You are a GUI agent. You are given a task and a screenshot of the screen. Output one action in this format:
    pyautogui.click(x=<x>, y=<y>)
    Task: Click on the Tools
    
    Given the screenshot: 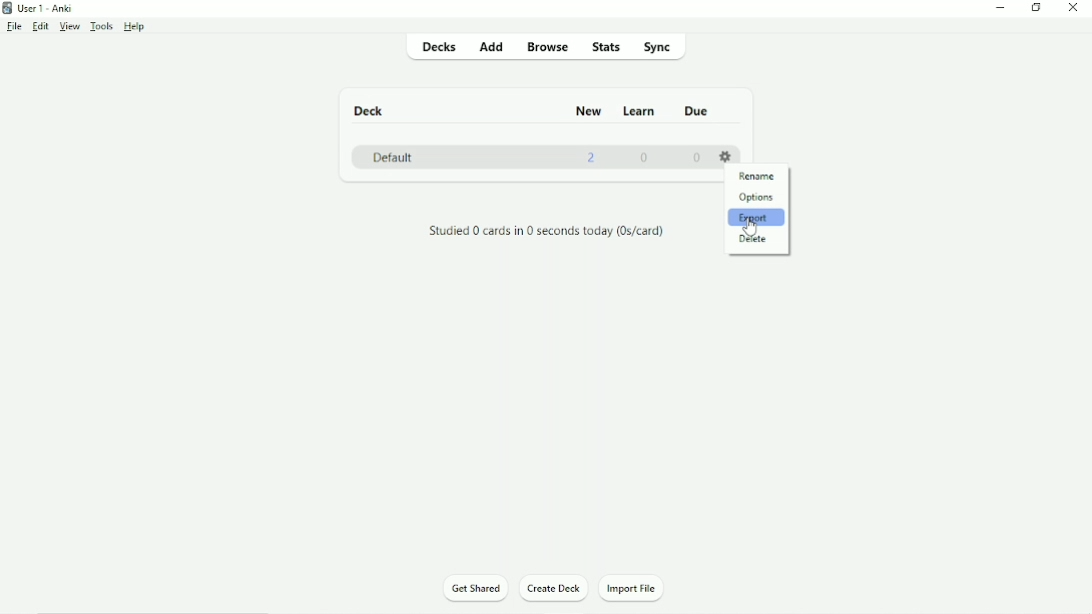 What is the action you would take?
    pyautogui.click(x=102, y=26)
    